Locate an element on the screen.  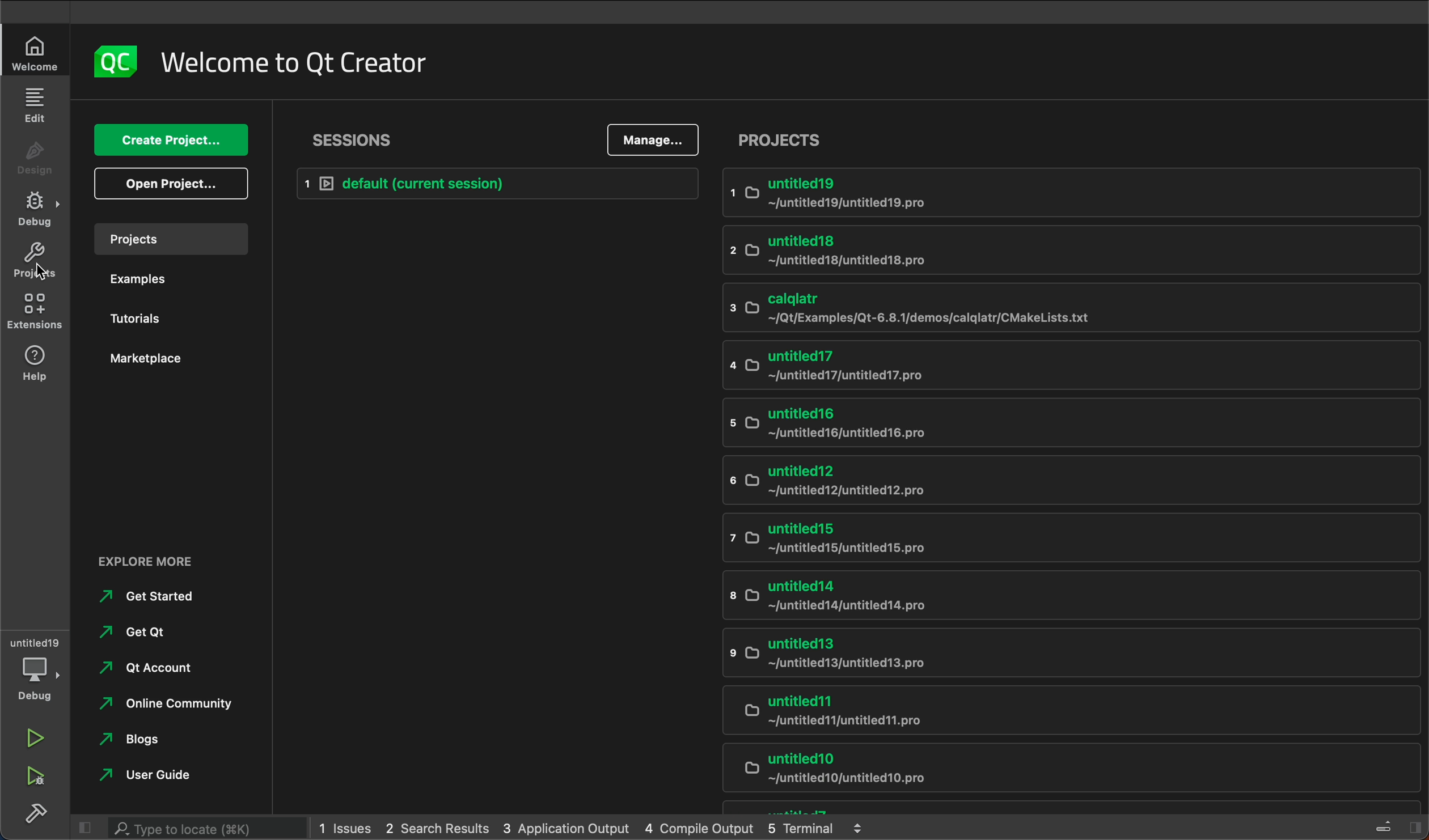
marketplace is located at coordinates (147, 359).